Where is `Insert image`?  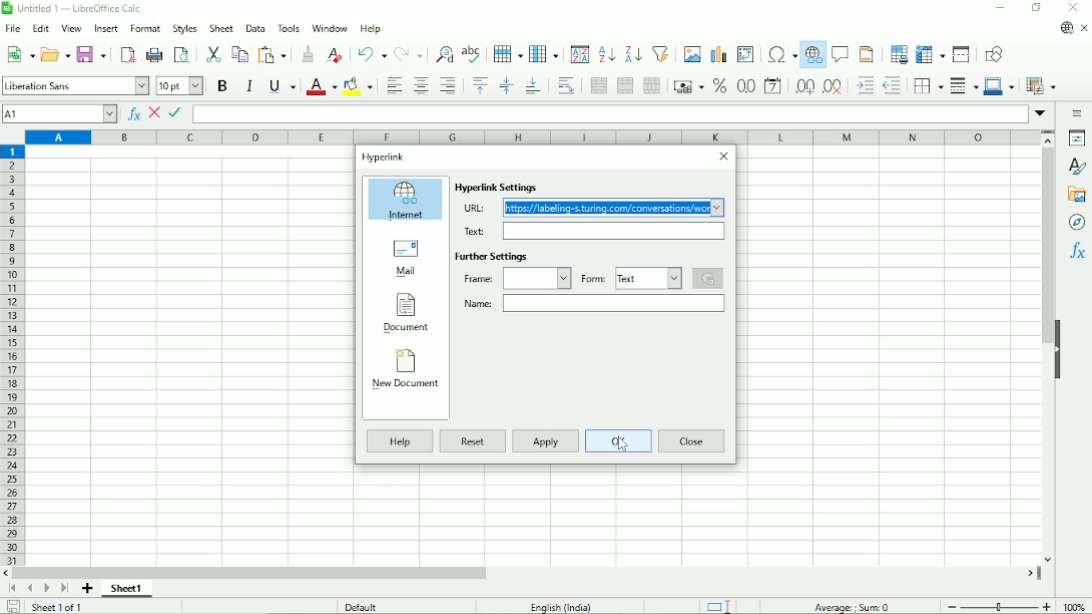 Insert image is located at coordinates (692, 54).